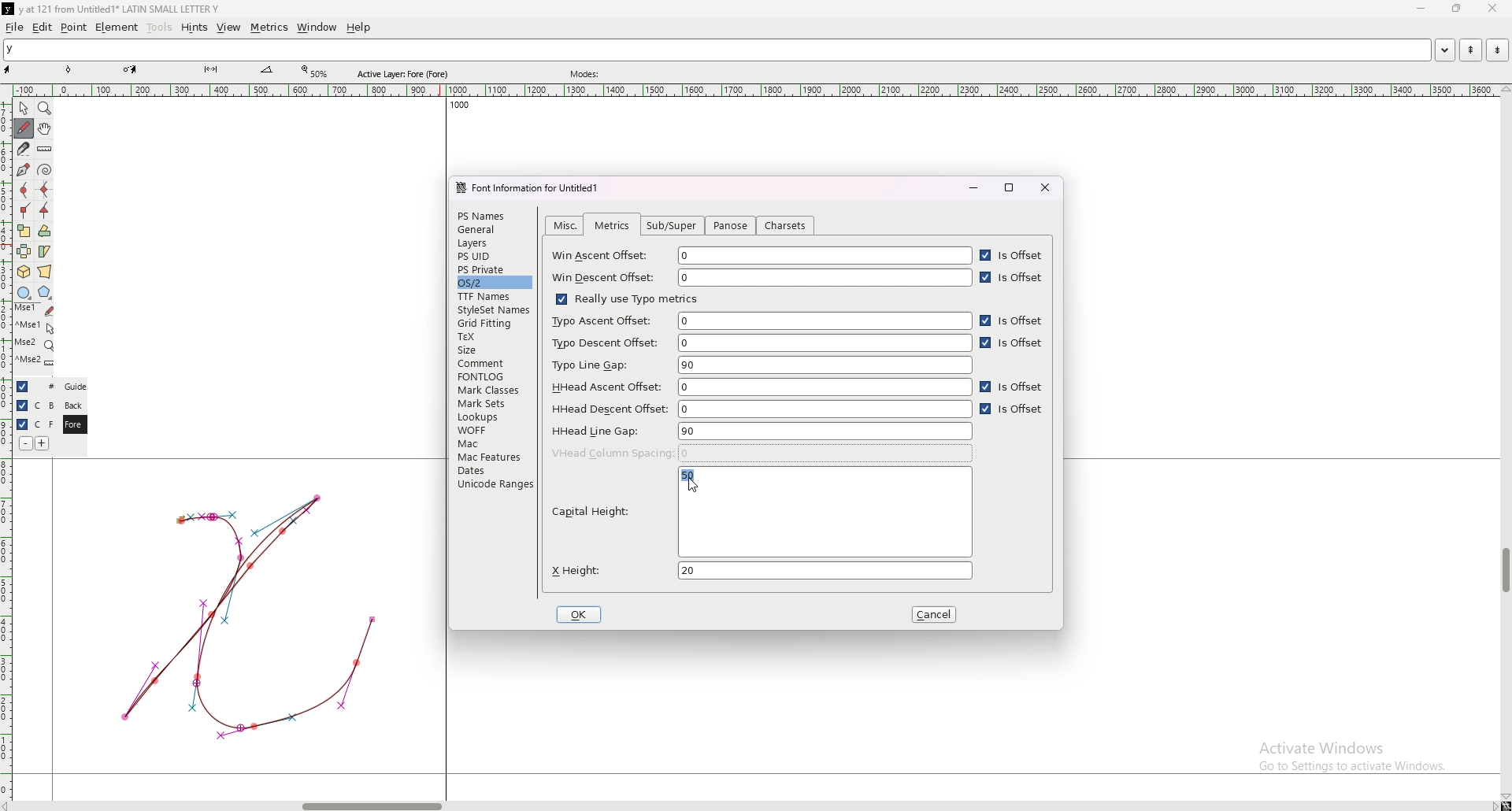  Describe the element at coordinates (317, 72) in the screenshot. I see `zoom percentage` at that location.